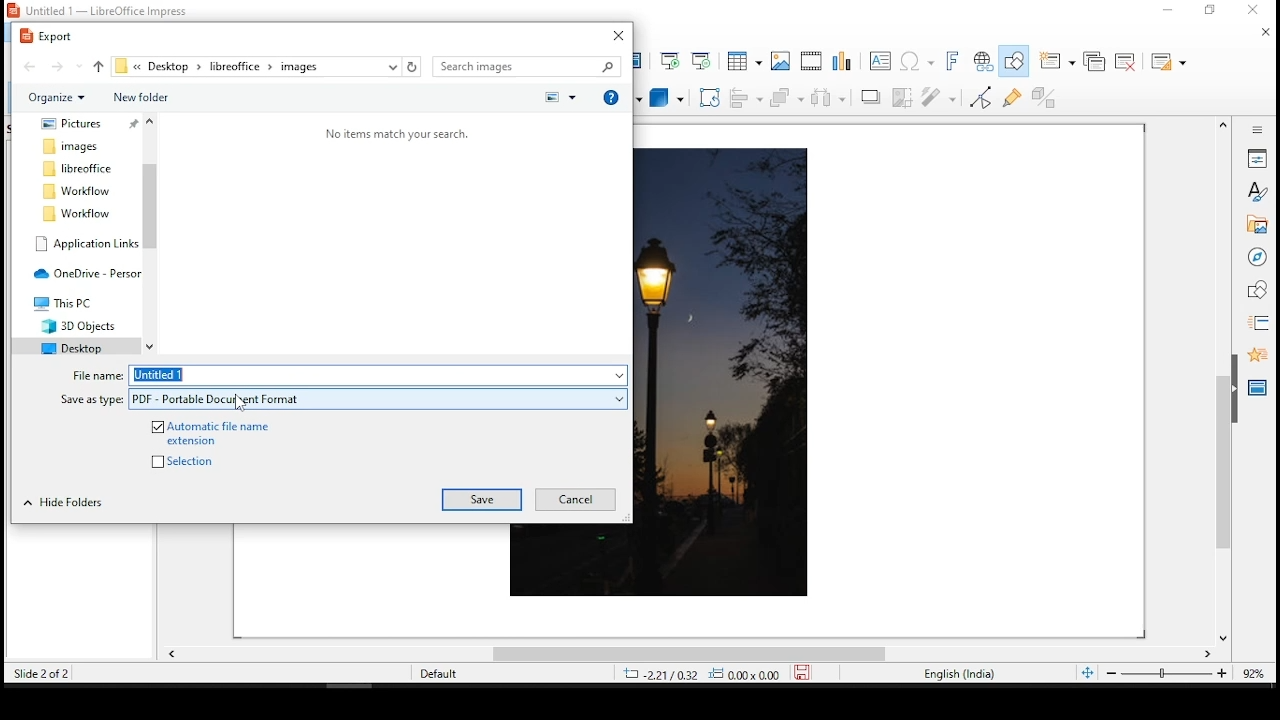  I want to click on folder, so click(72, 124).